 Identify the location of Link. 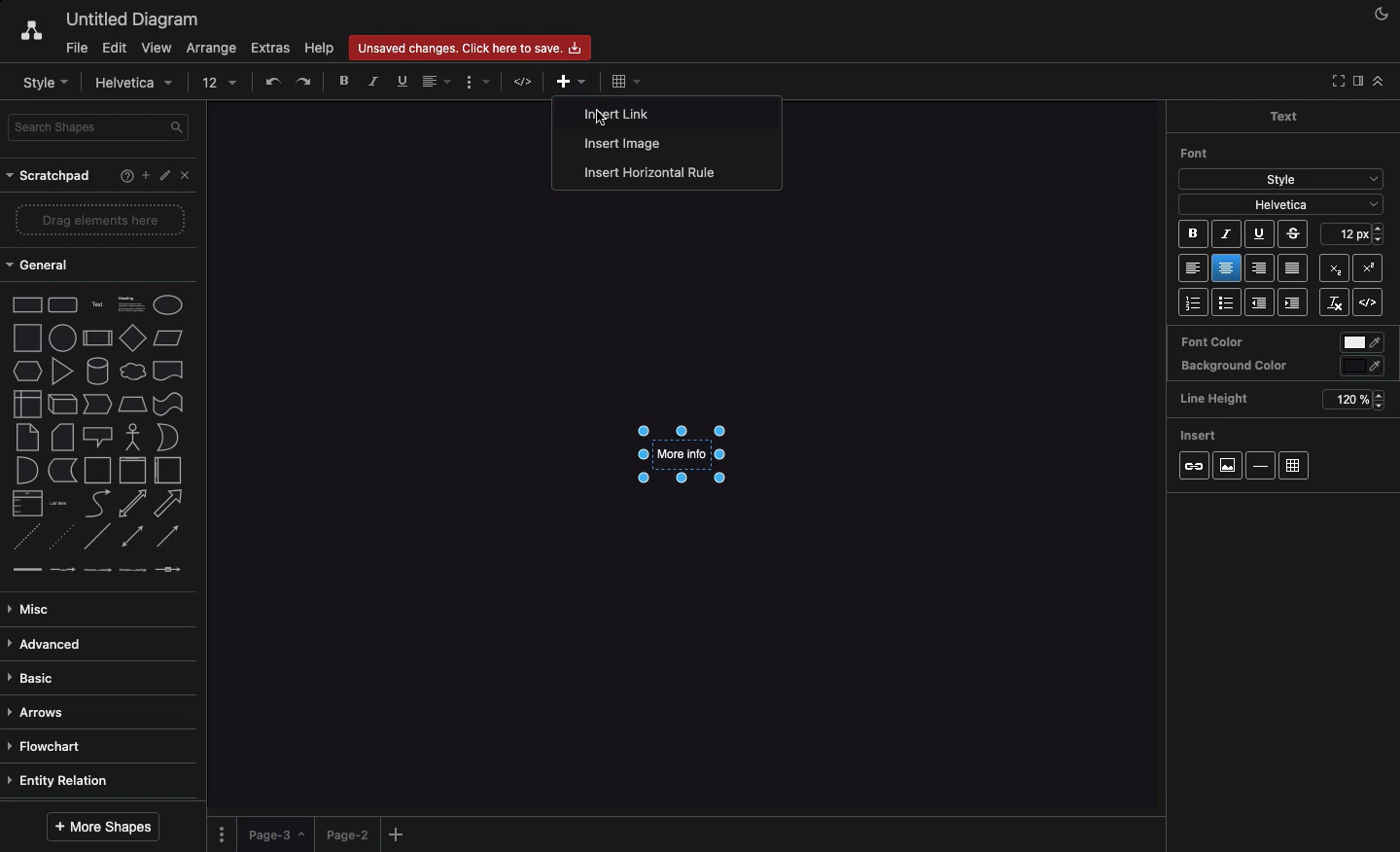
(1194, 467).